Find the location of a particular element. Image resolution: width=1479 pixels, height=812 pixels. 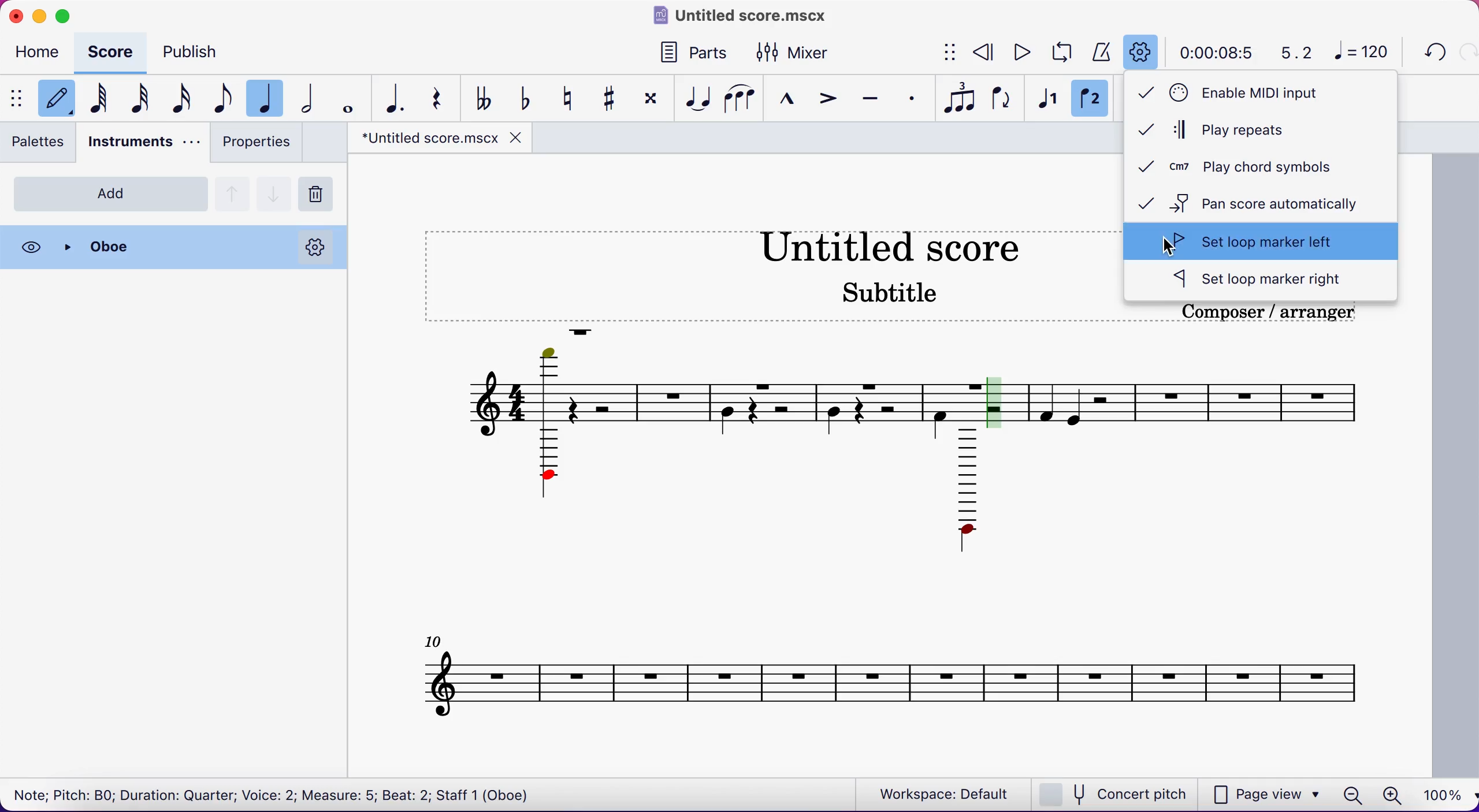

time is located at coordinates (1214, 52).